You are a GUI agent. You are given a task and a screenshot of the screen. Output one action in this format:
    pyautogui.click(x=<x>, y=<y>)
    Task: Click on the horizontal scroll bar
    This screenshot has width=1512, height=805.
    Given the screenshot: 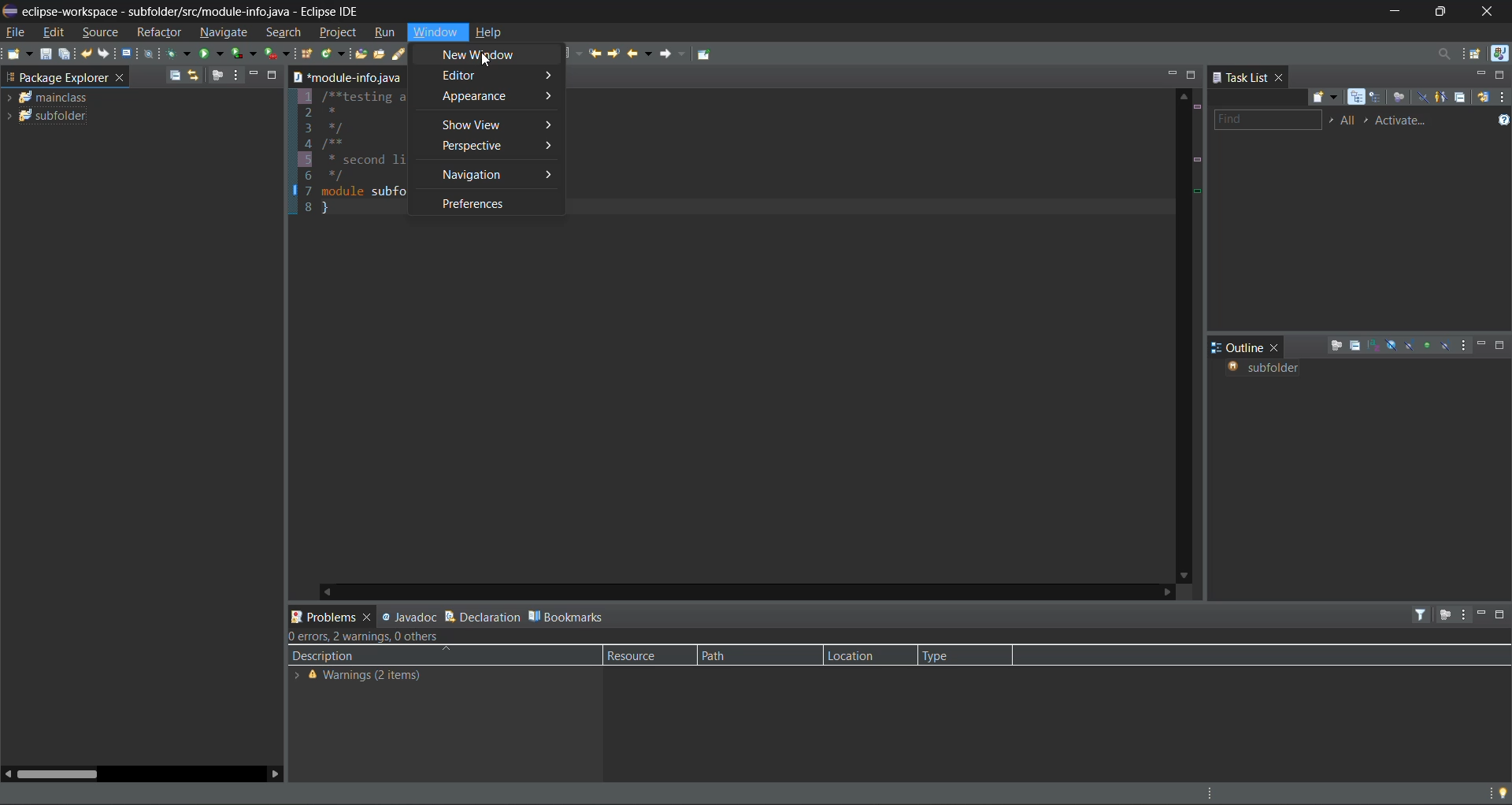 What is the action you would take?
    pyautogui.click(x=62, y=773)
    